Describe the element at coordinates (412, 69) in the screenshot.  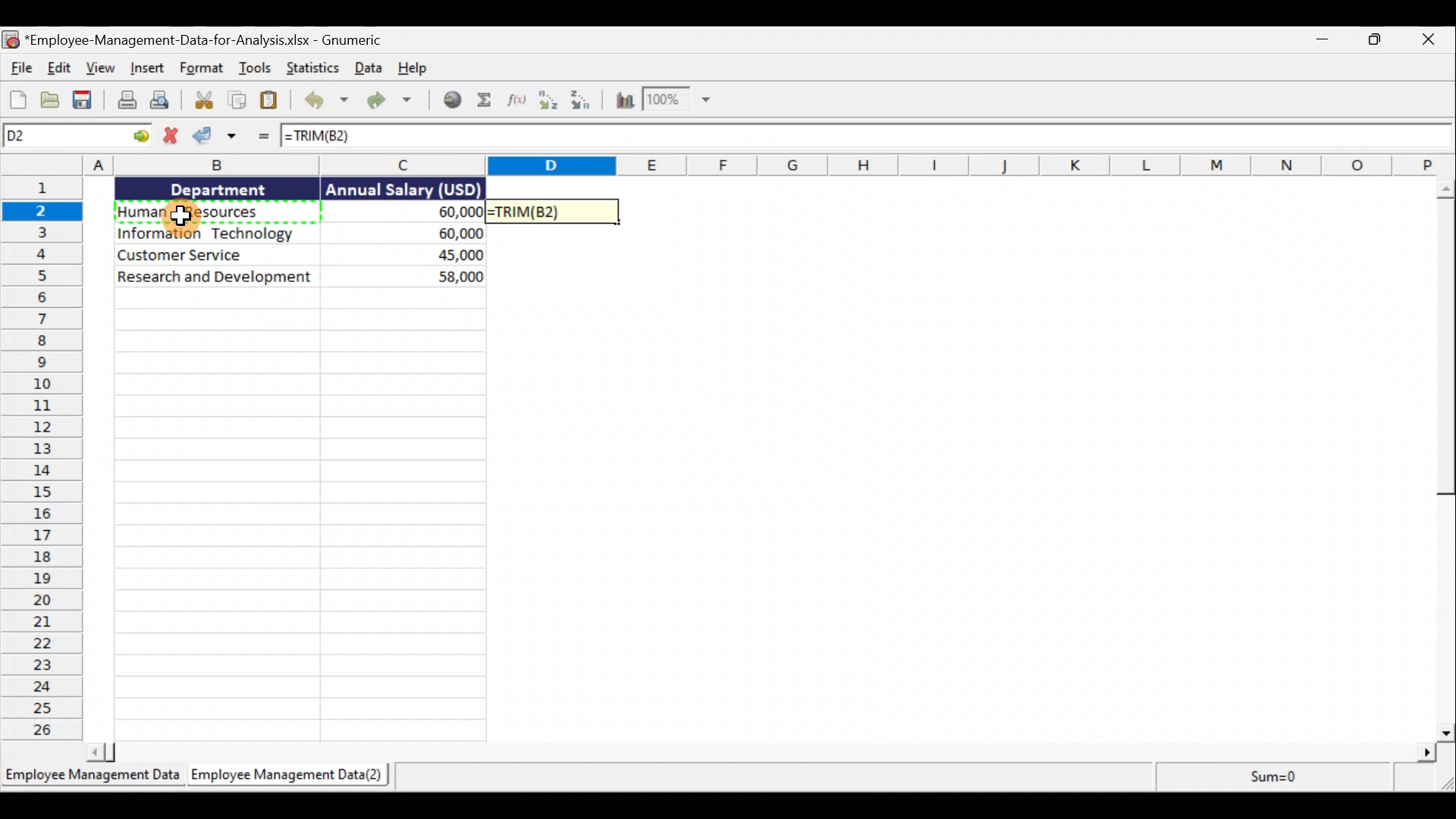
I see `Help` at that location.